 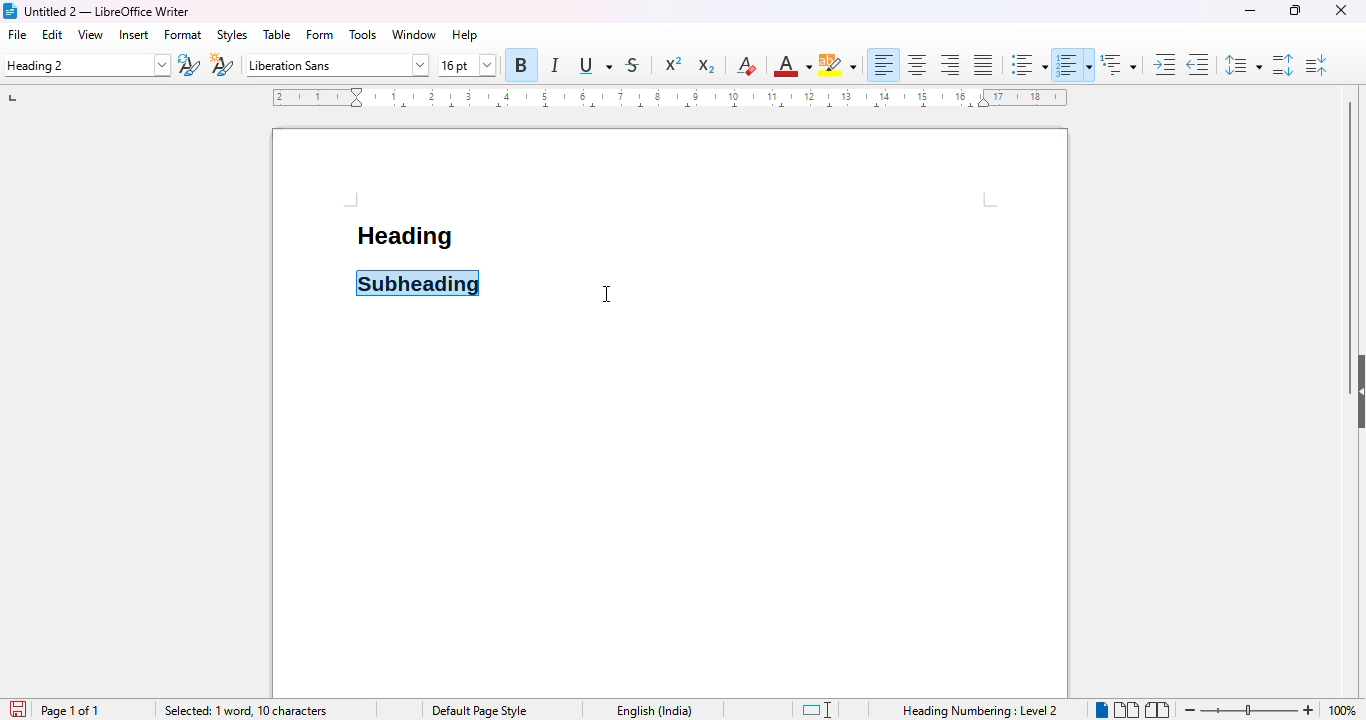 I want to click on decrease paragraph spacing, so click(x=1316, y=65).